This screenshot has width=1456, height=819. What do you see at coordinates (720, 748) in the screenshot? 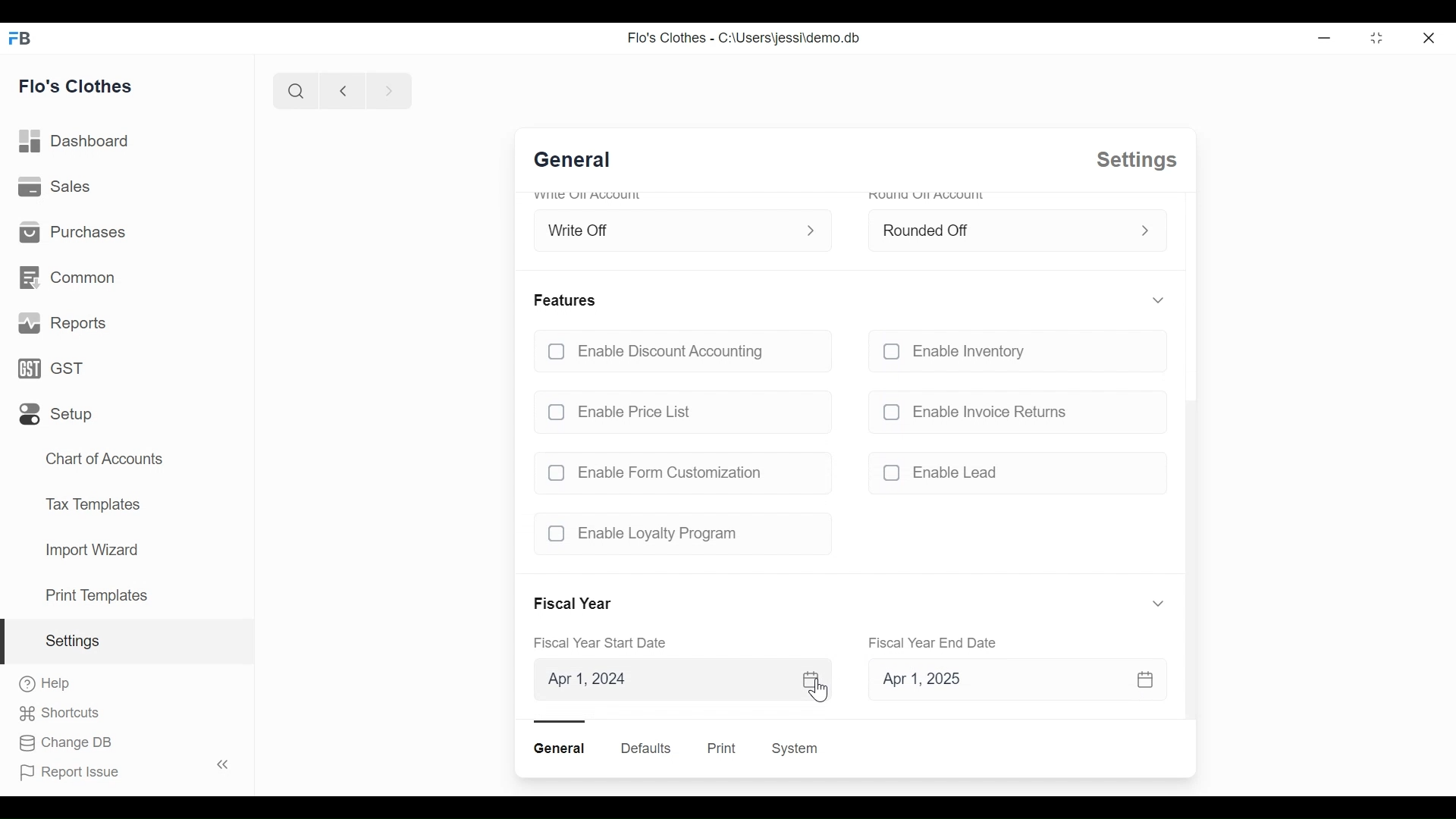
I see `Print` at bounding box center [720, 748].